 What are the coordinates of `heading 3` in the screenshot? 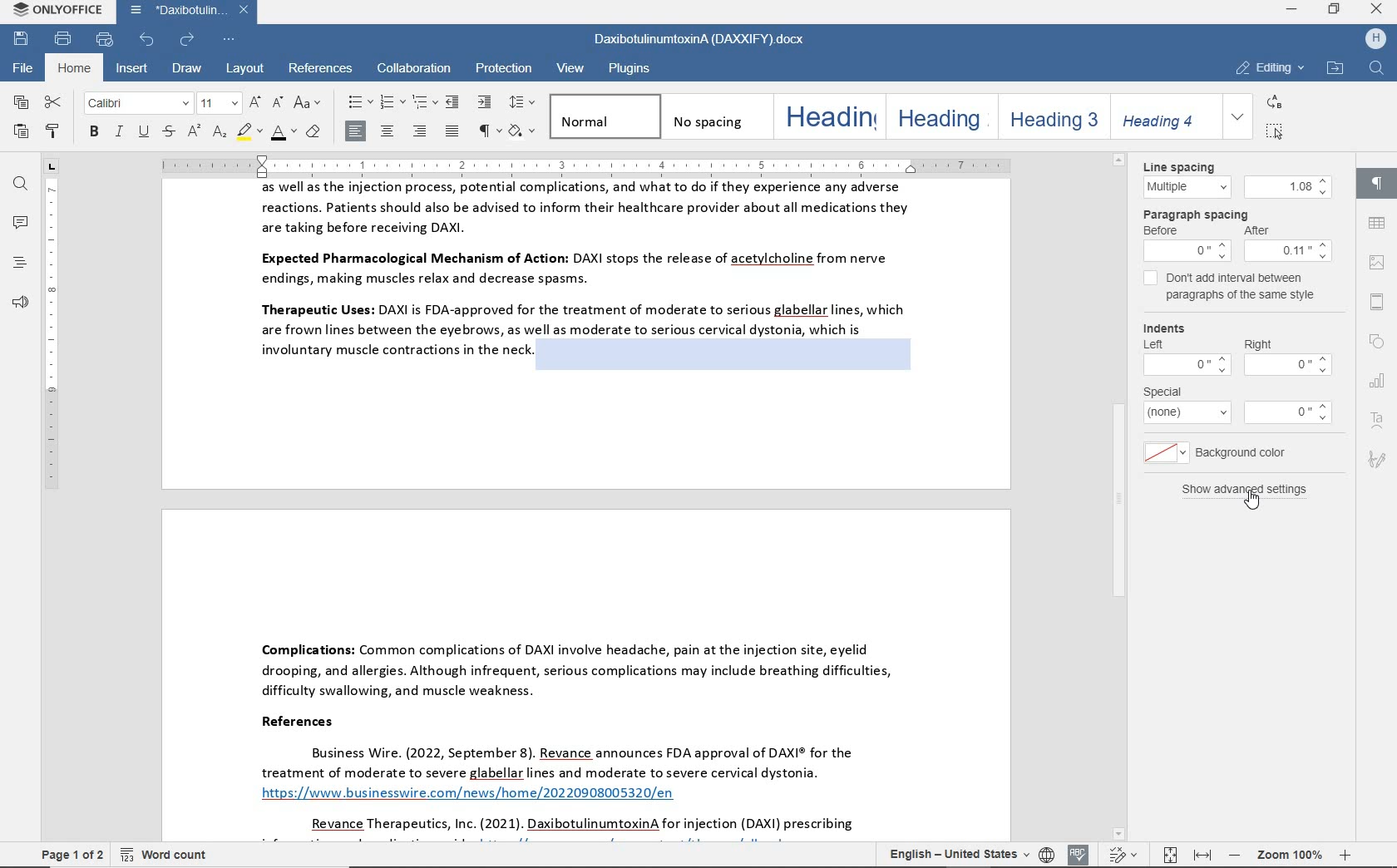 It's located at (1051, 116).